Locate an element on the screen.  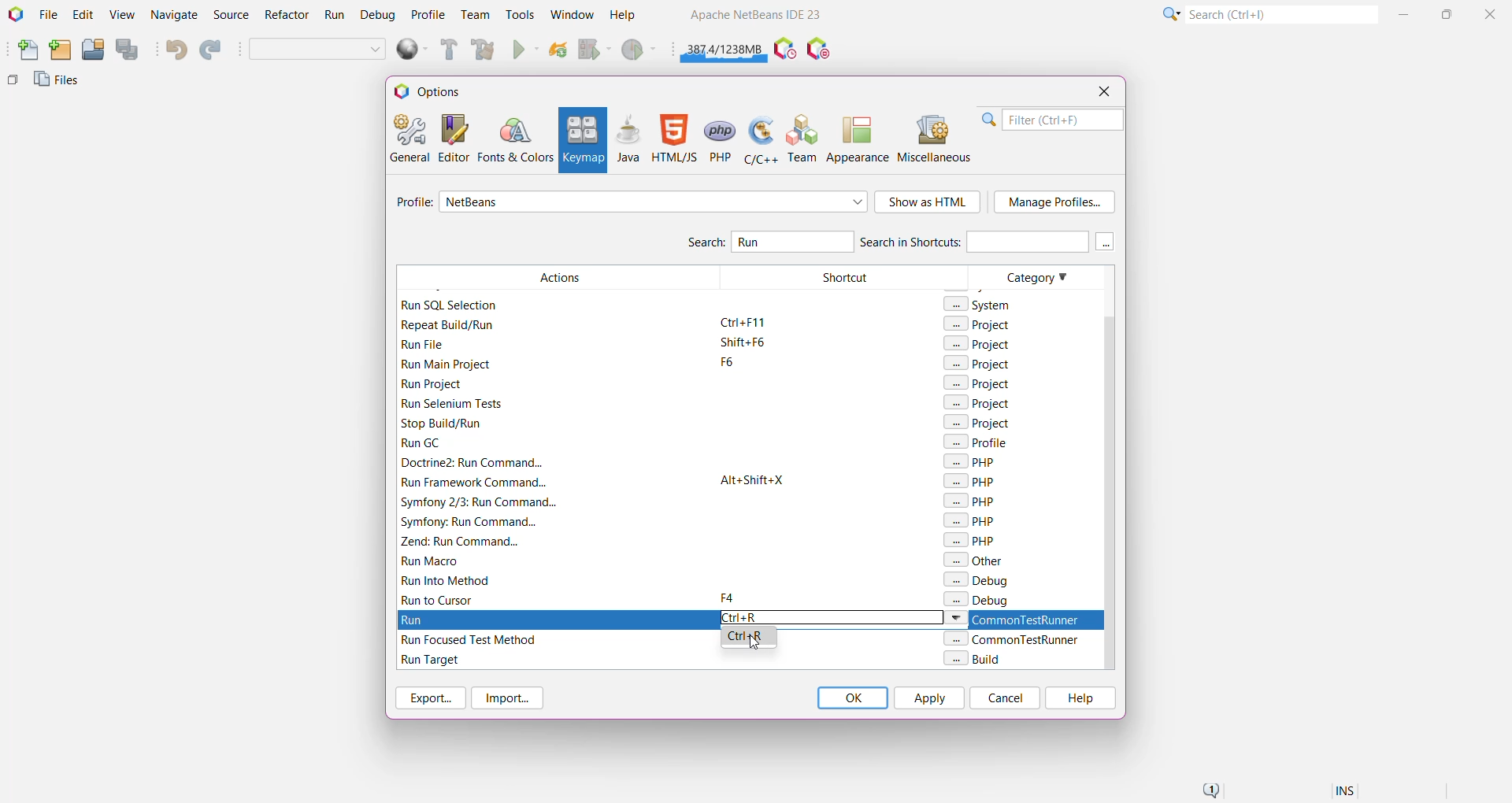
Maximize is located at coordinates (1449, 13).